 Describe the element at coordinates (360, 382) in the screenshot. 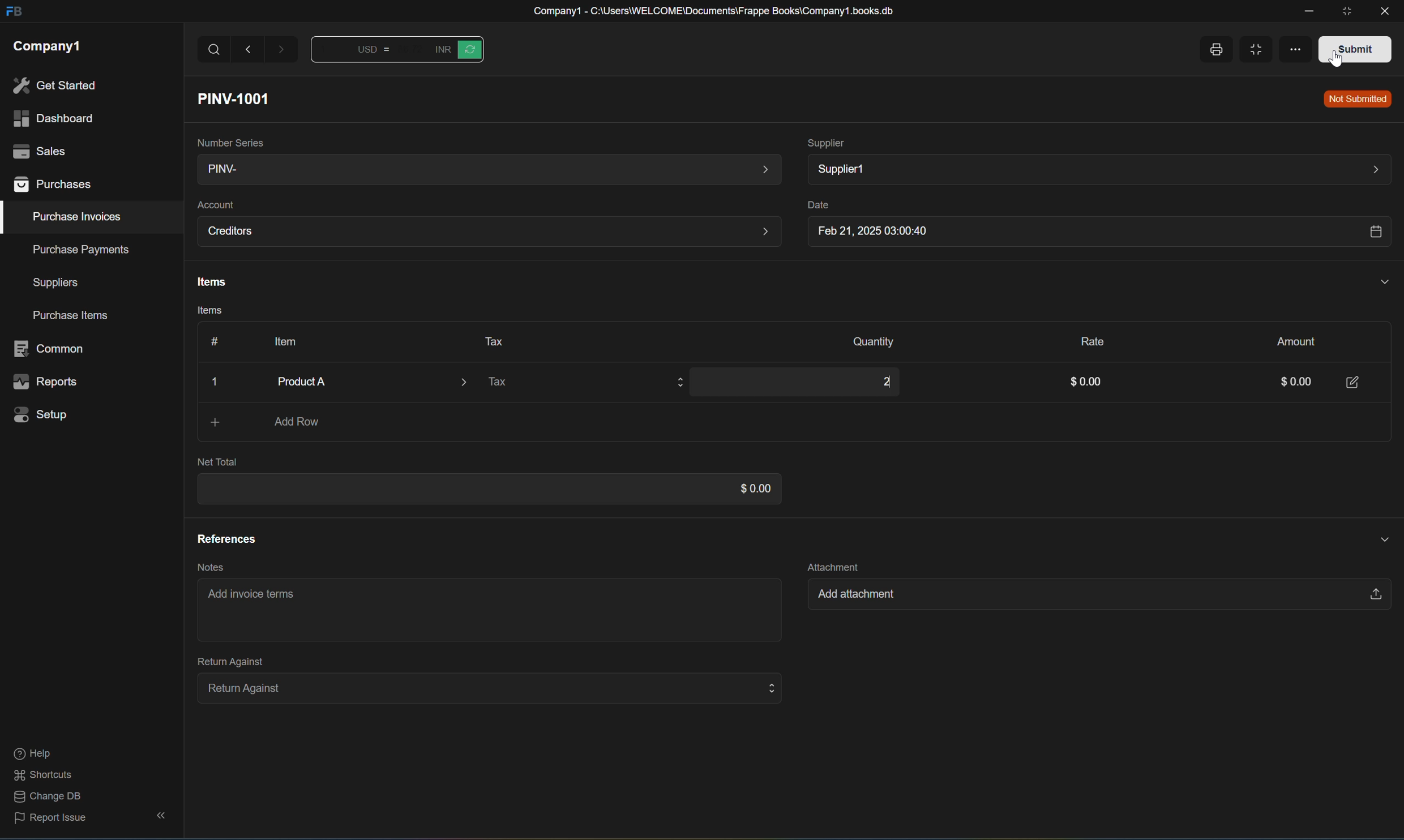

I see `Product A` at that location.